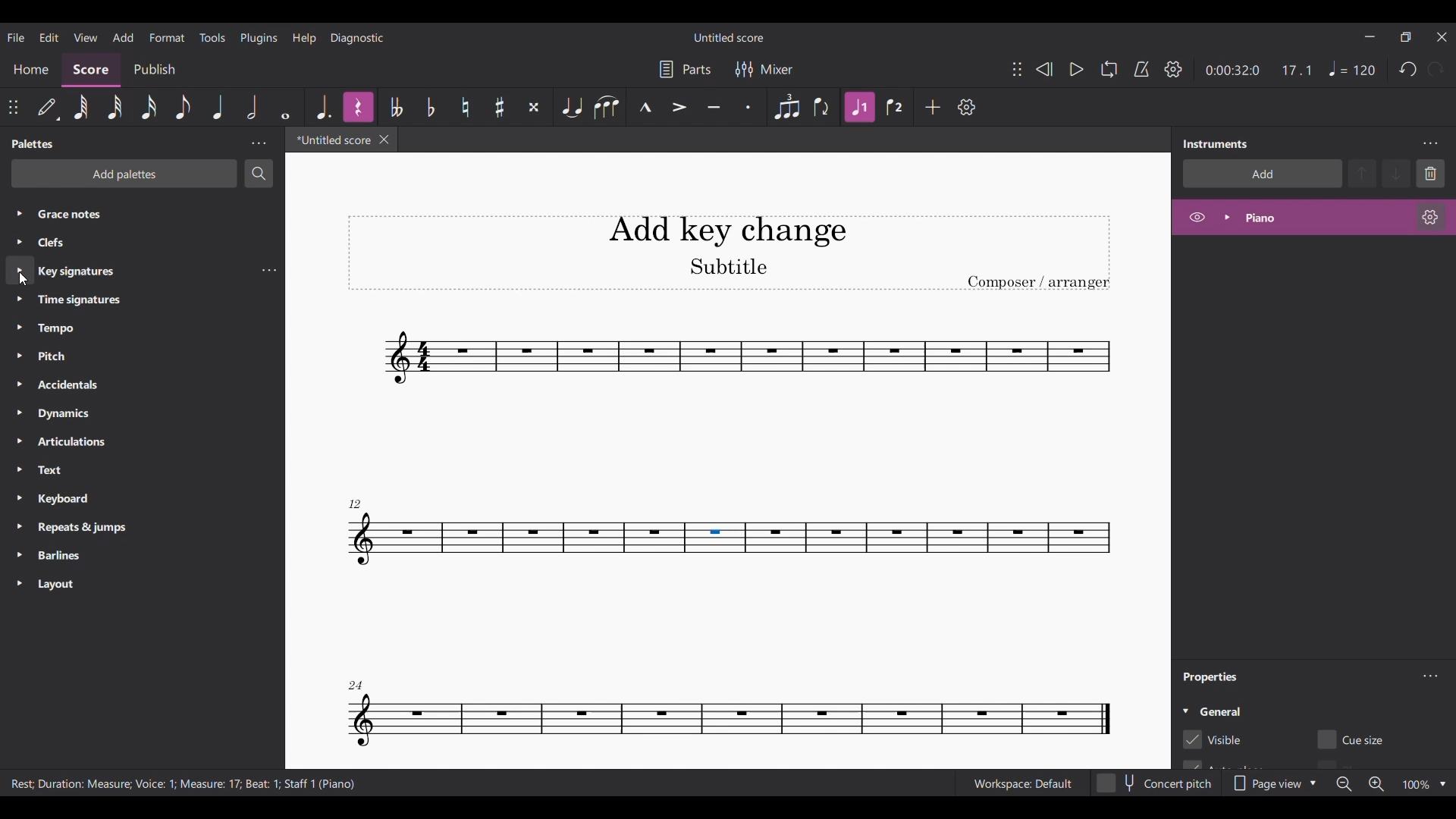 This screenshot has width=1456, height=819. Describe the element at coordinates (730, 253) in the screenshot. I see `Score title, sub-title and composor name` at that location.